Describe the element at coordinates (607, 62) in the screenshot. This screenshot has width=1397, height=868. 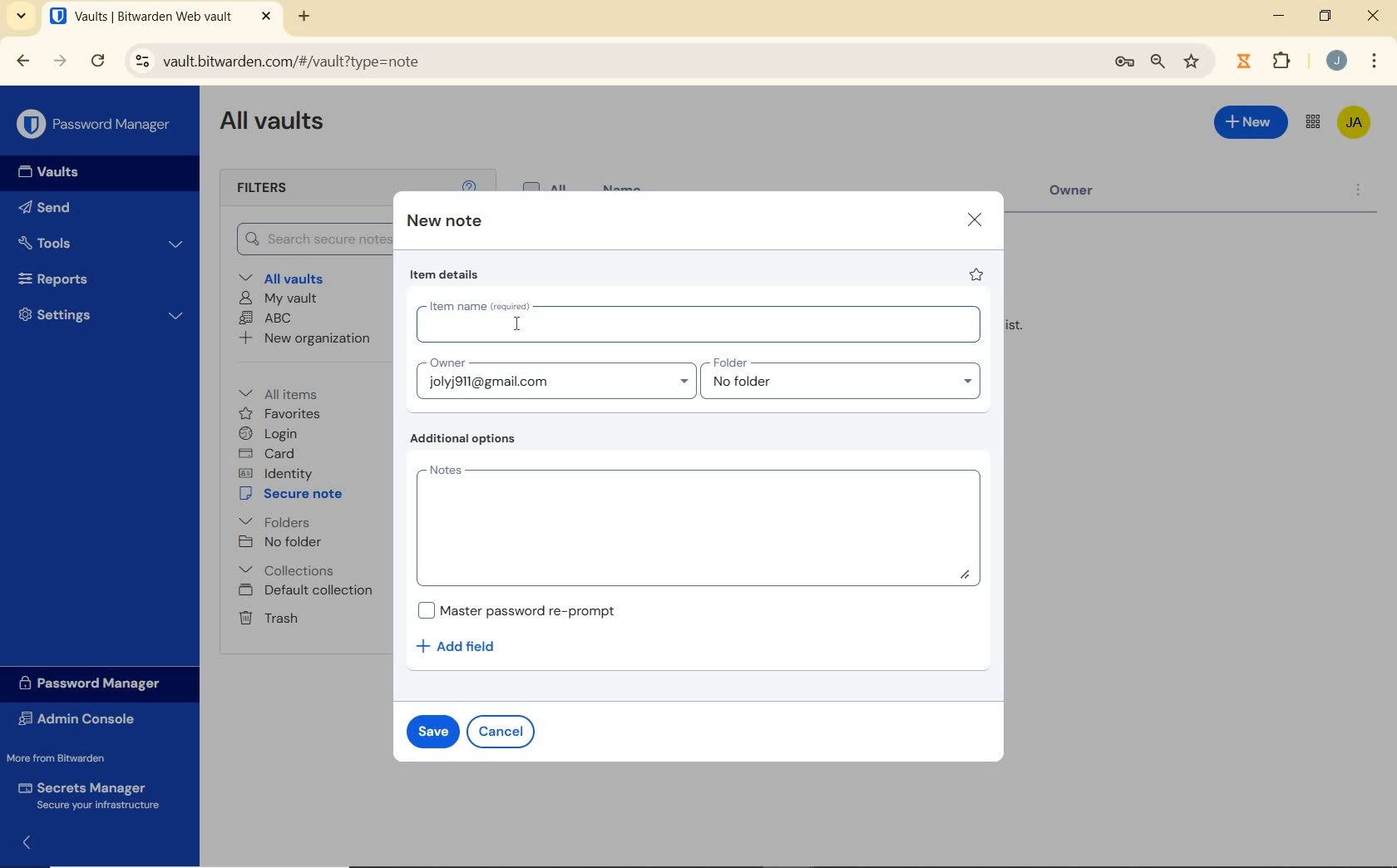
I see `address bar` at that location.